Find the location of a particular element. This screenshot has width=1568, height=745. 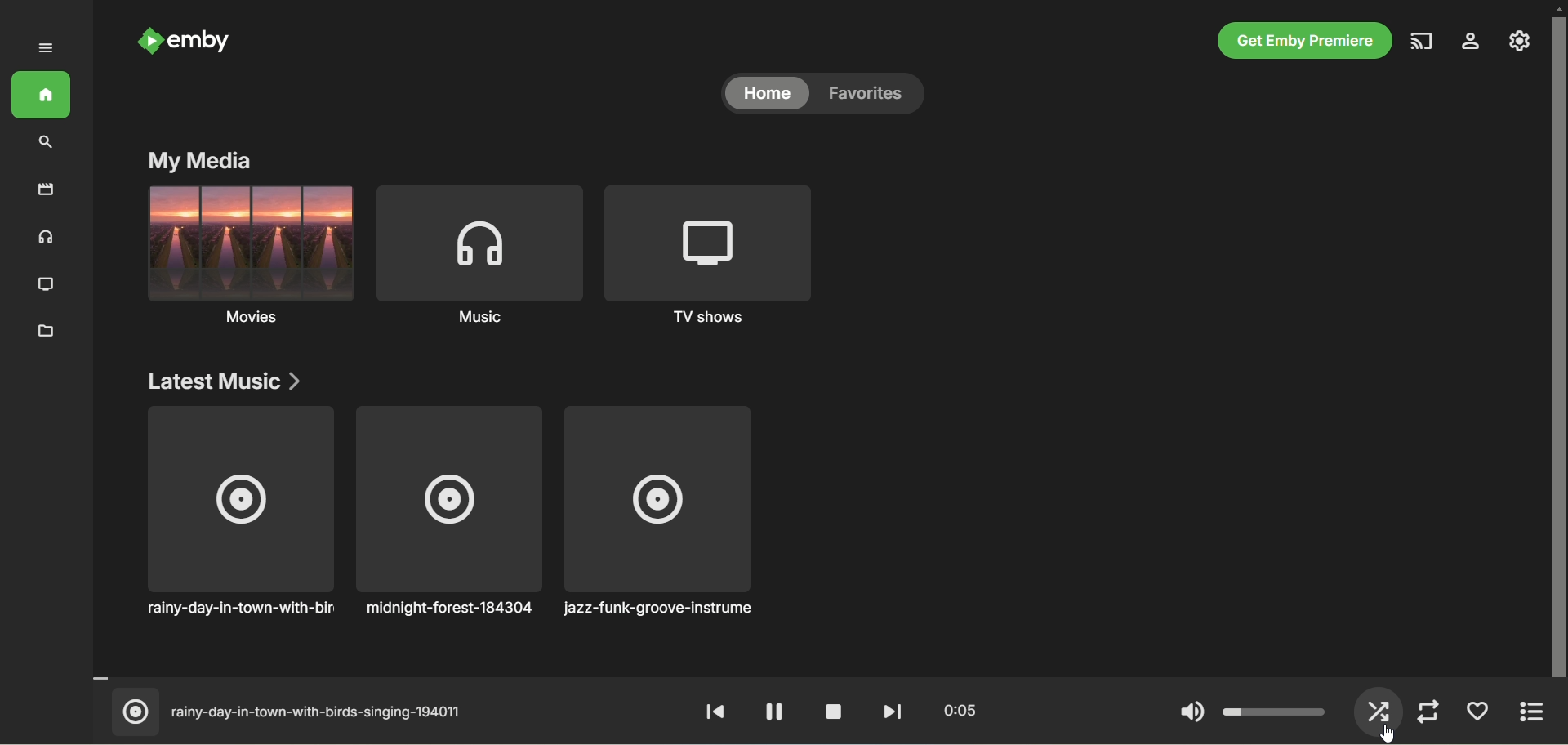

stop is located at coordinates (832, 713).